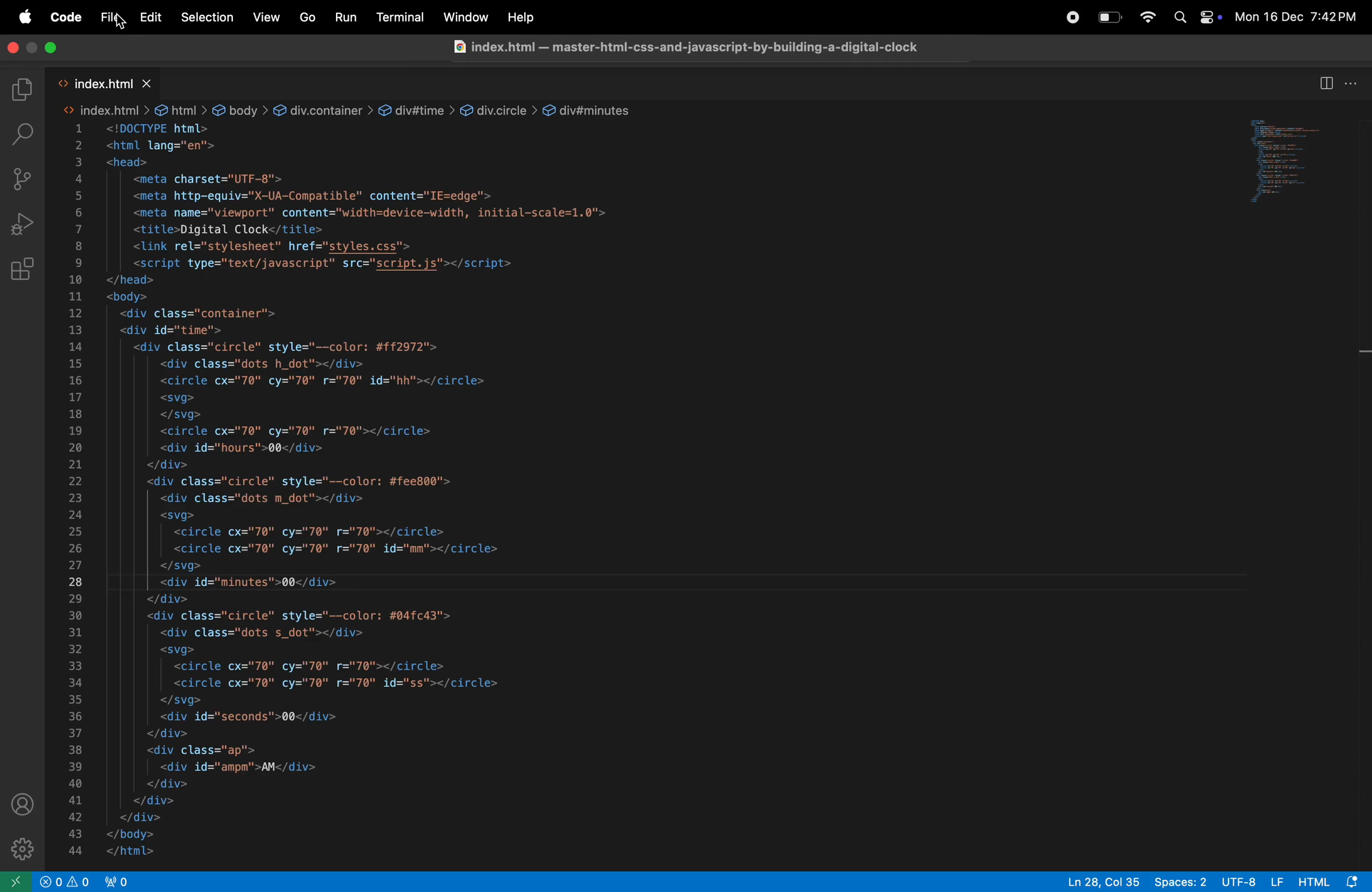  I want to click on explore, so click(22, 89).